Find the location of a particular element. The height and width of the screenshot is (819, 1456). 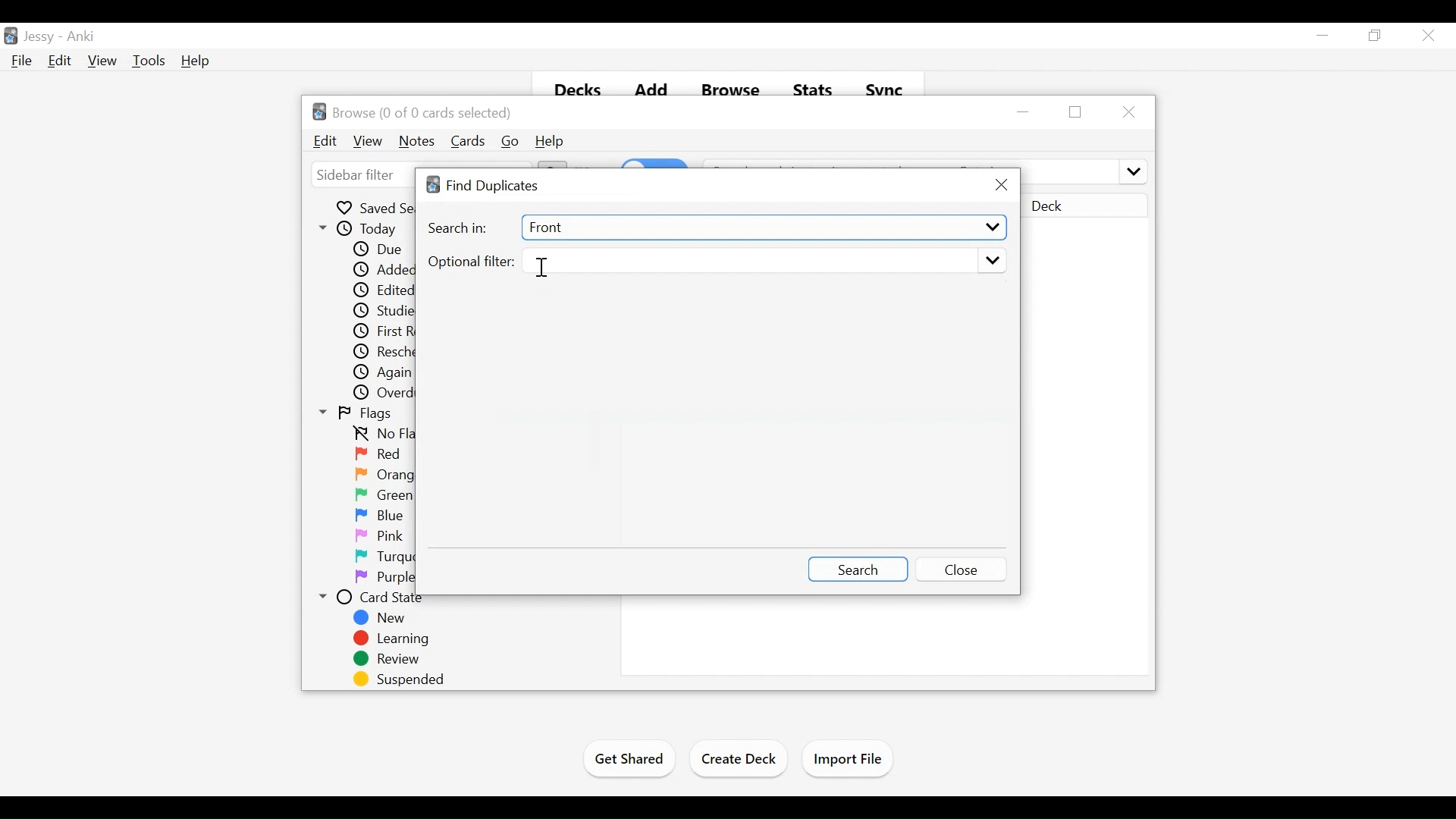

Studied is located at coordinates (381, 312).